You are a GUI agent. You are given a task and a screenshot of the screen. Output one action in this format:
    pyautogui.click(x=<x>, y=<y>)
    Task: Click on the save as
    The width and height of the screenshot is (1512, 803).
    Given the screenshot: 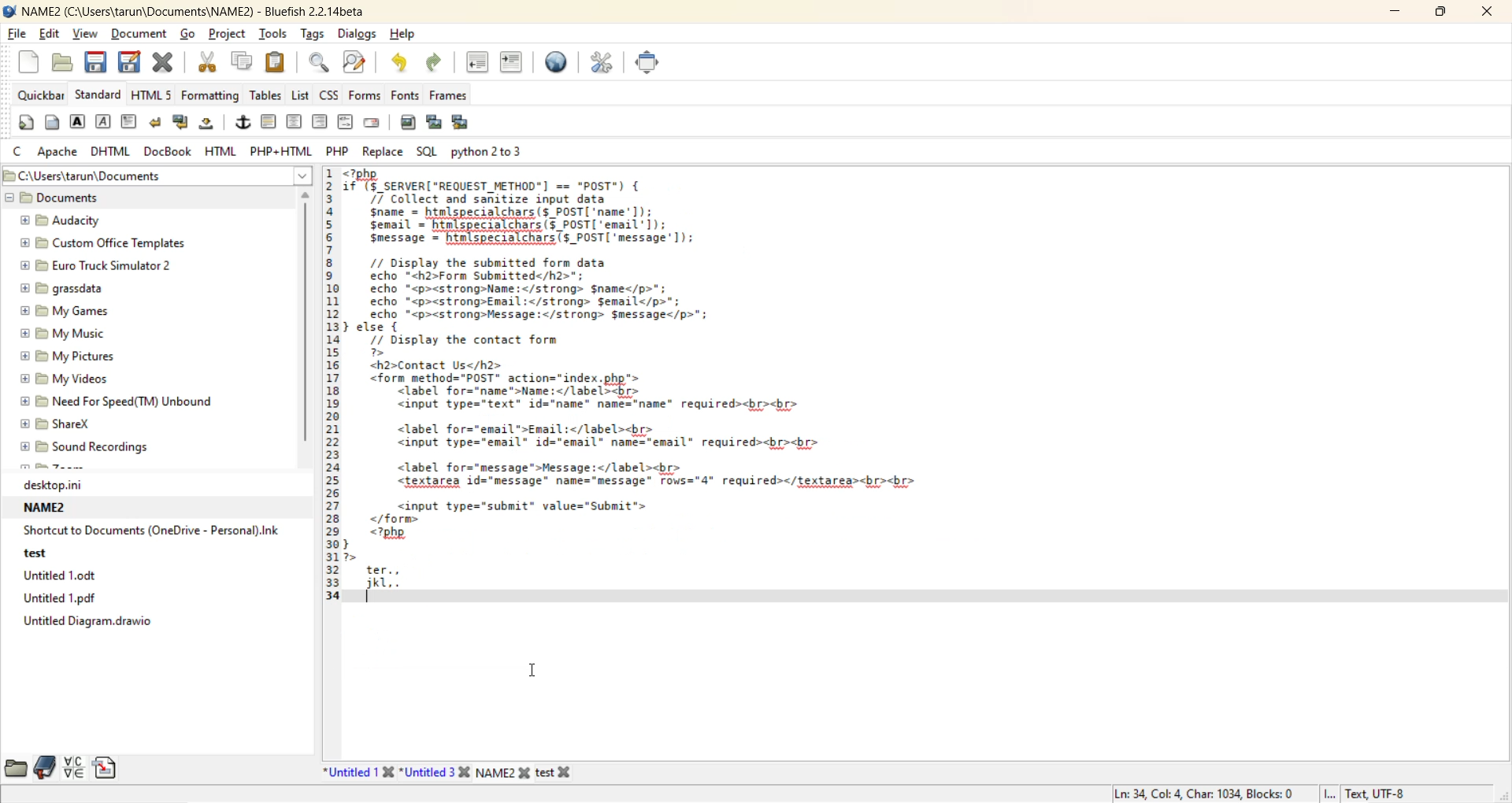 What is the action you would take?
    pyautogui.click(x=131, y=63)
    